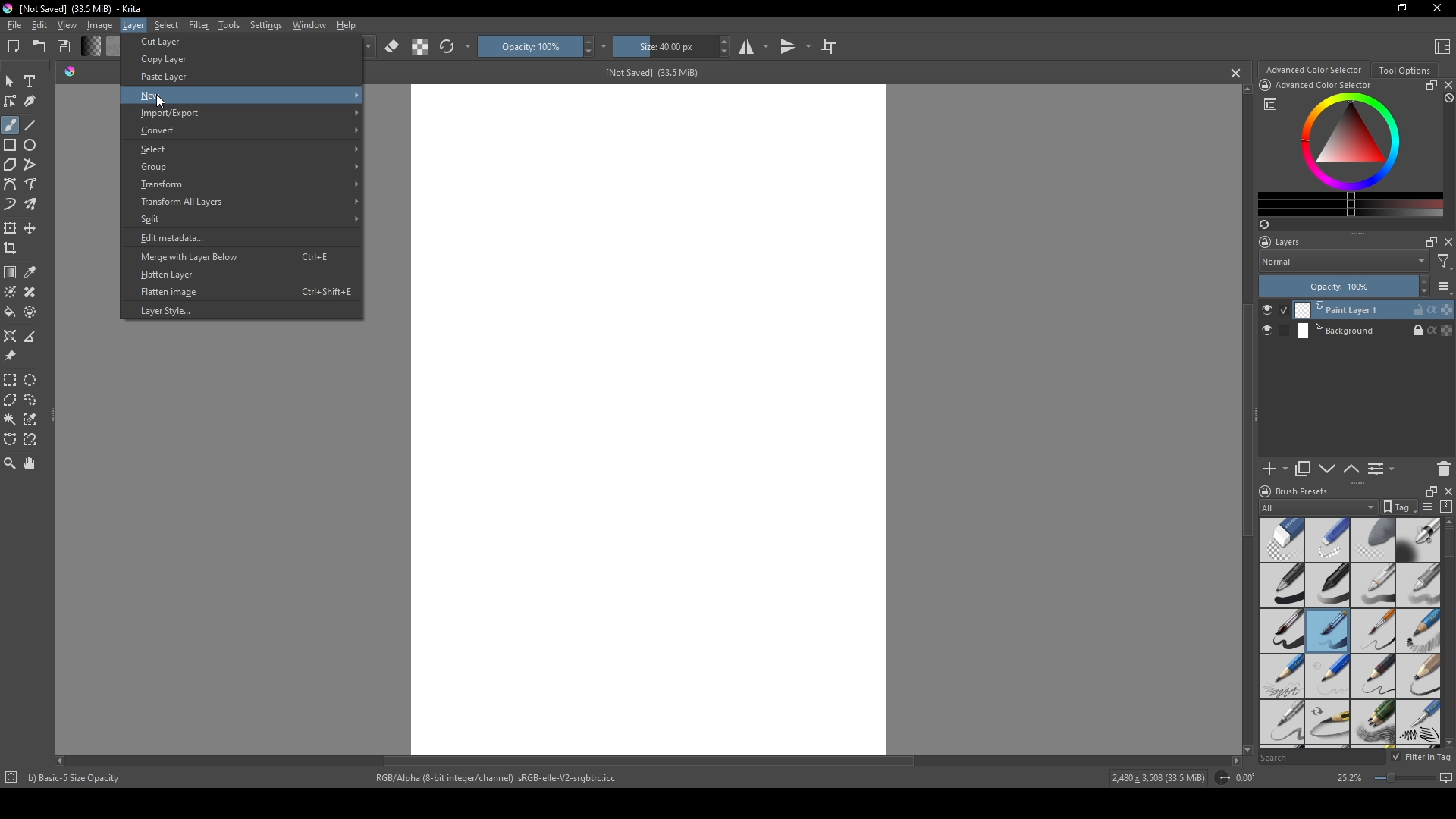  What do you see at coordinates (1348, 779) in the screenshot?
I see `25.2%` at bounding box center [1348, 779].